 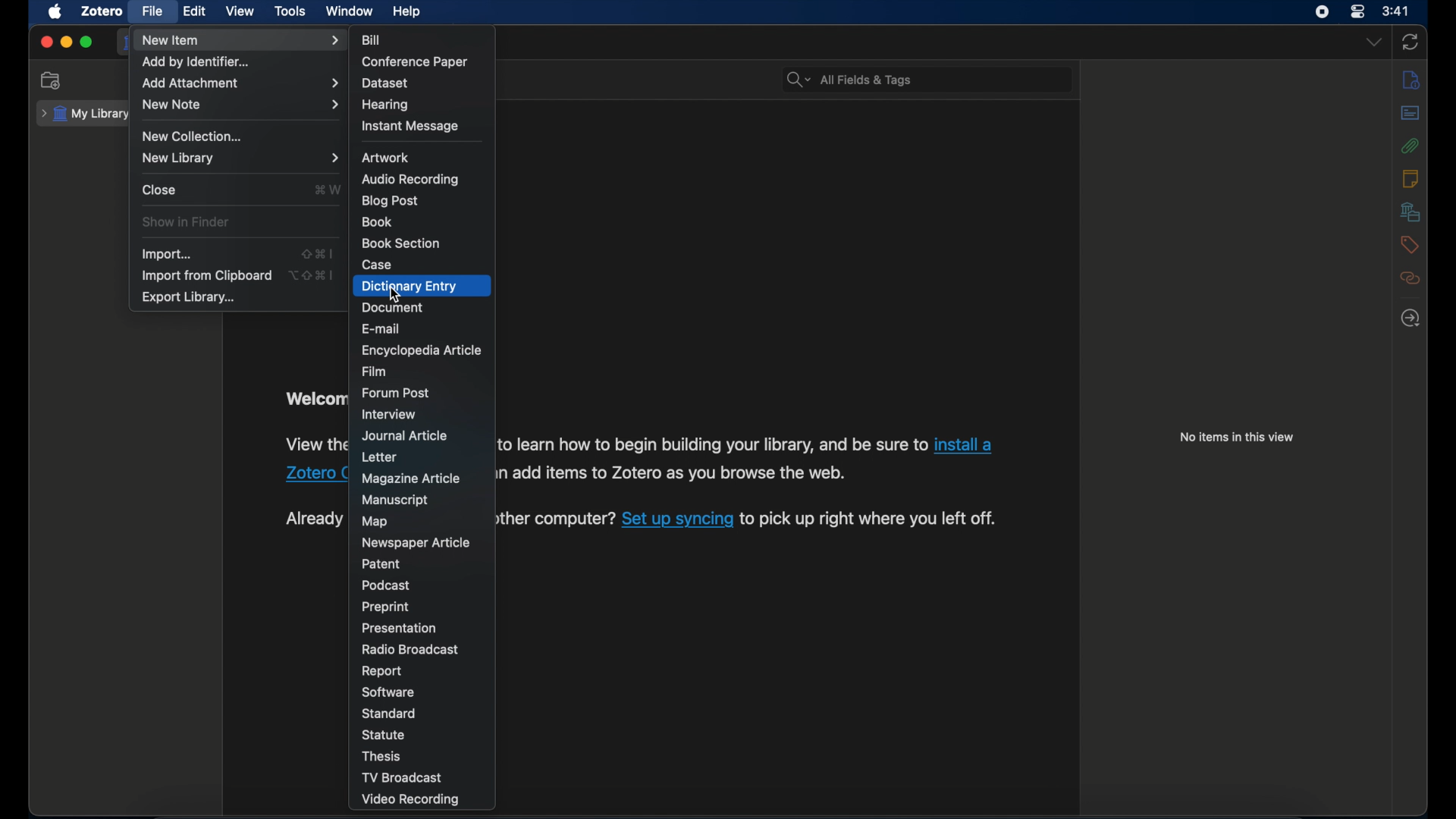 I want to click on attachments, so click(x=1411, y=146).